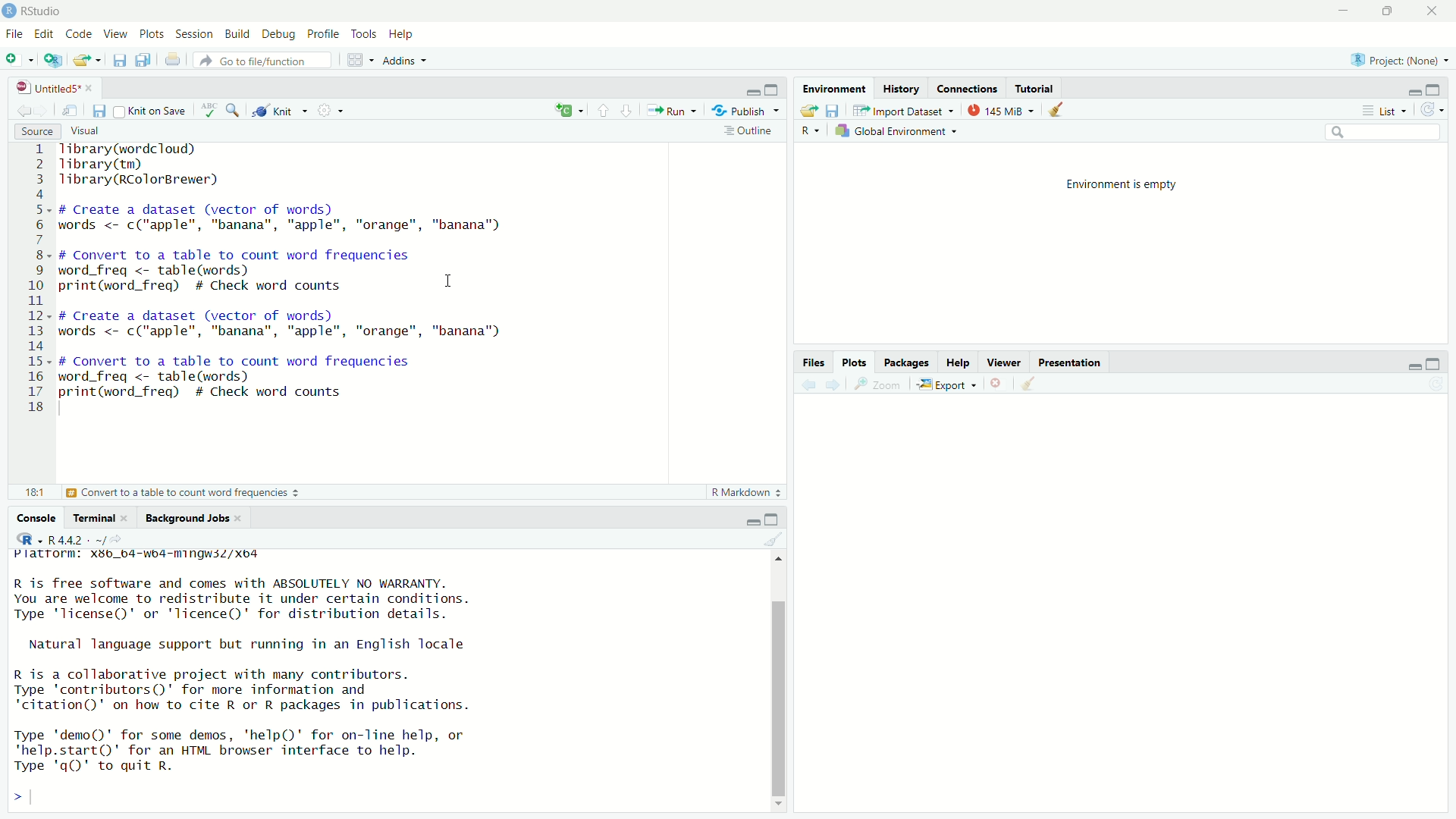  Describe the element at coordinates (1389, 12) in the screenshot. I see `Maximize` at that location.